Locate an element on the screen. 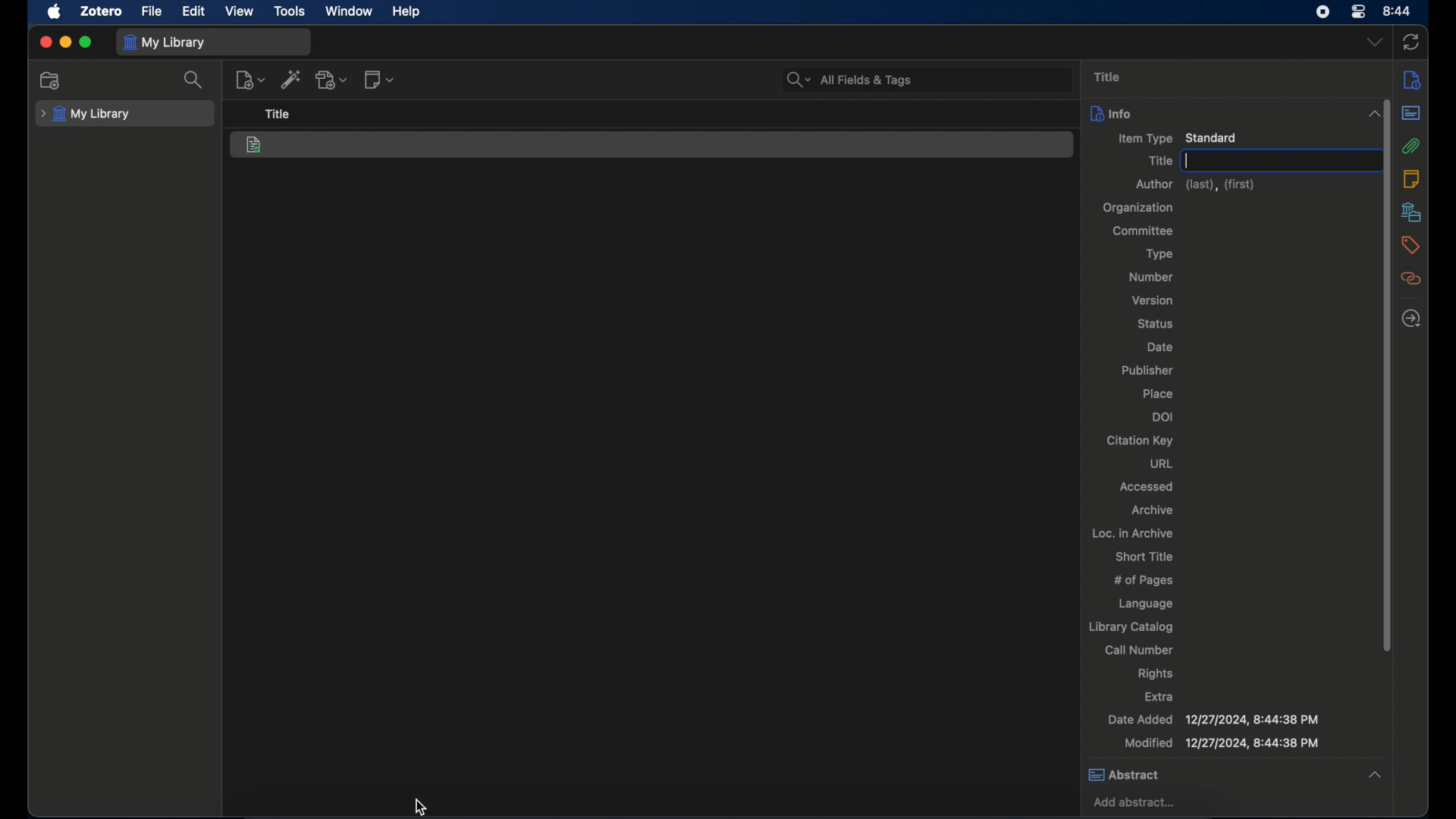  attachments is located at coordinates (1411, 146).